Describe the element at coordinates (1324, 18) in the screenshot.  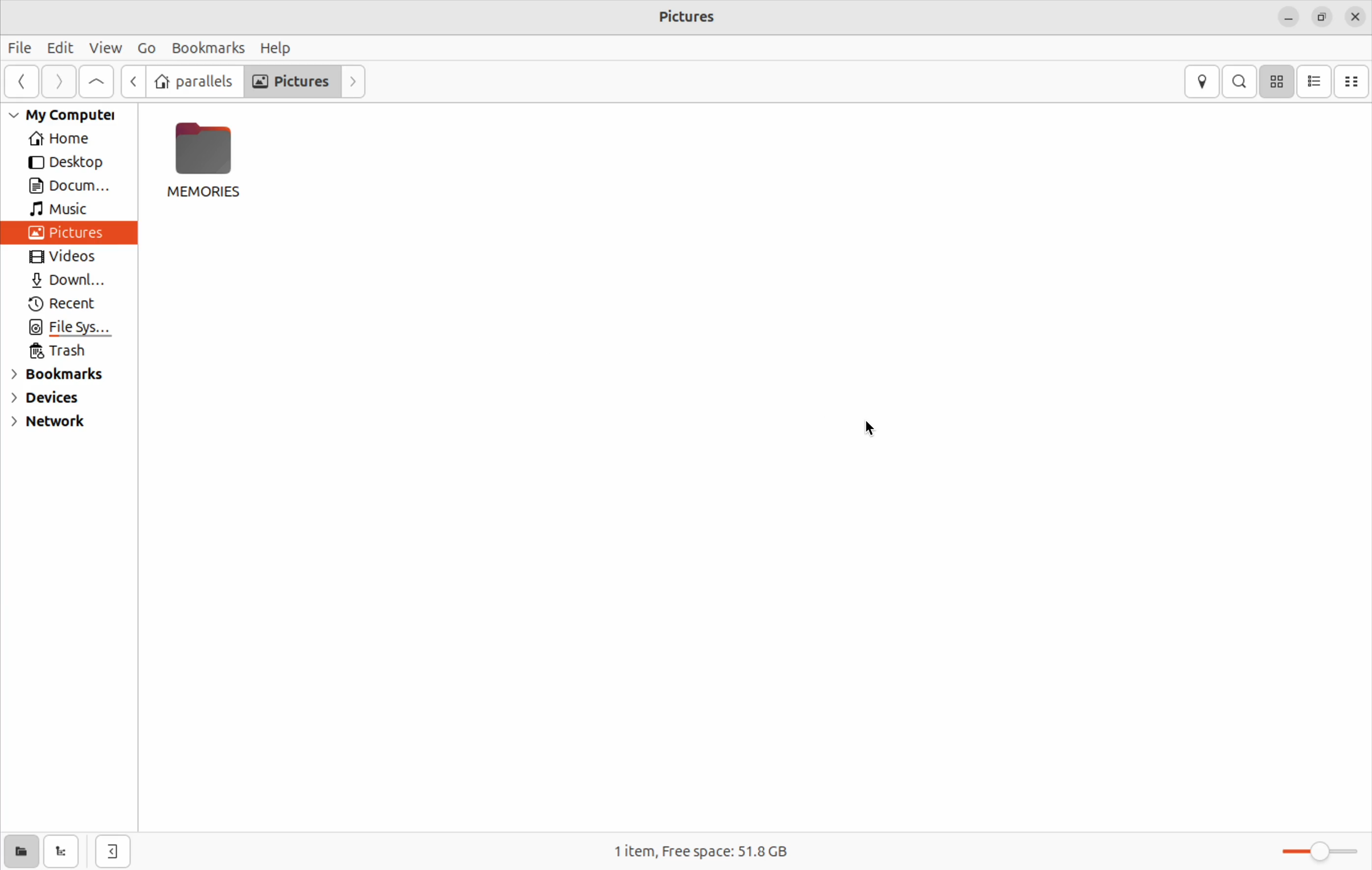
I see `resize` at that location.